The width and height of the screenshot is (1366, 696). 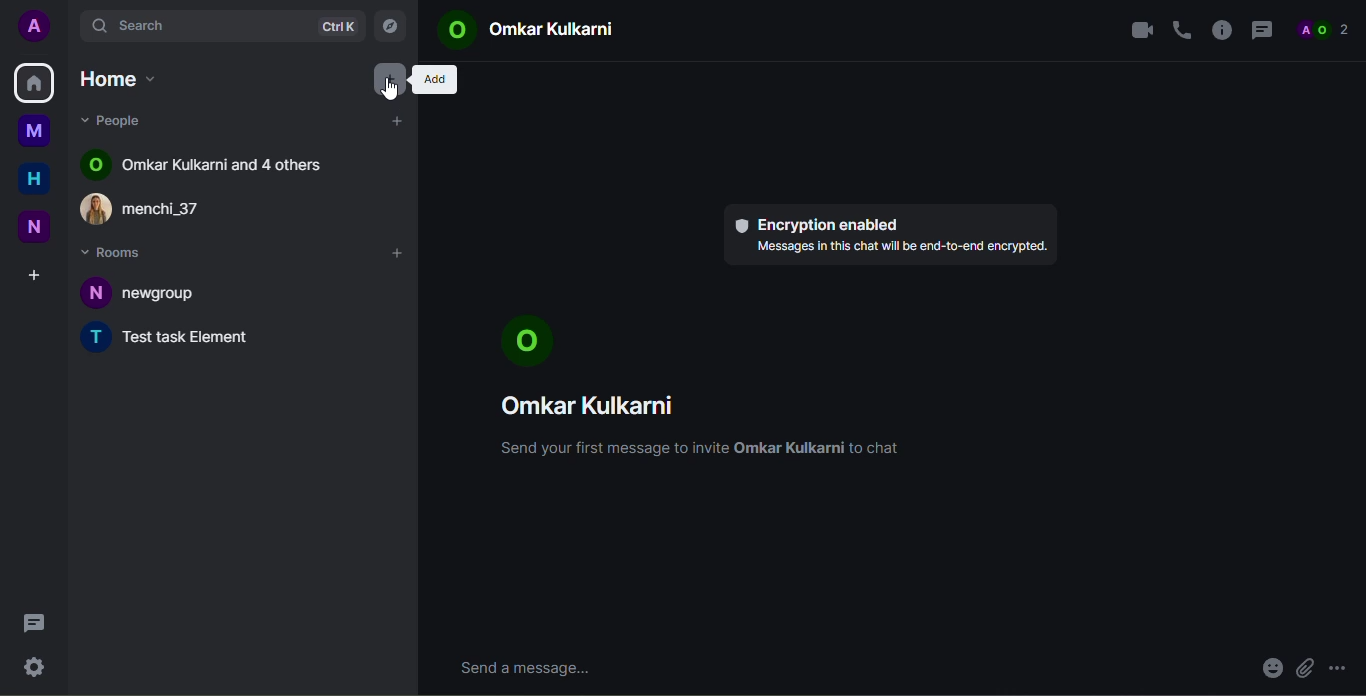 I want to click on voice call, so click(x=1181, y=30).